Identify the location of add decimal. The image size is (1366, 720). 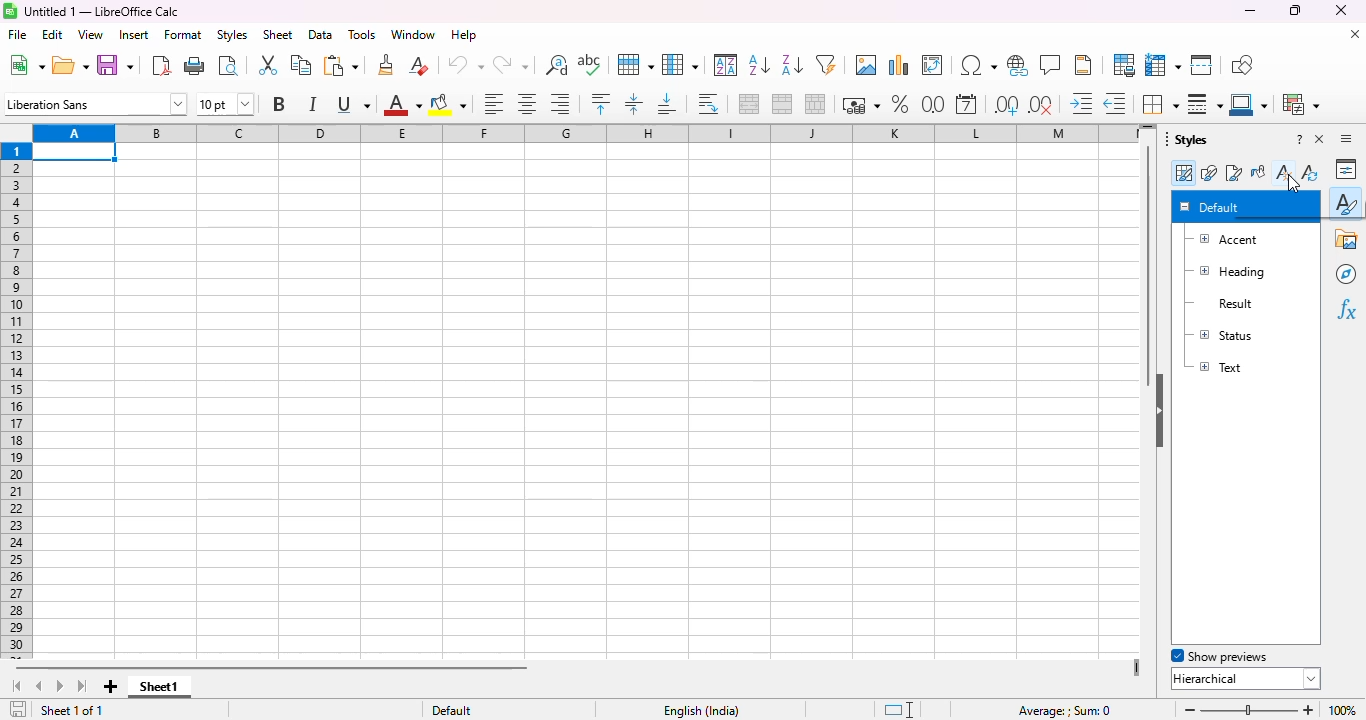
(1007, 105).